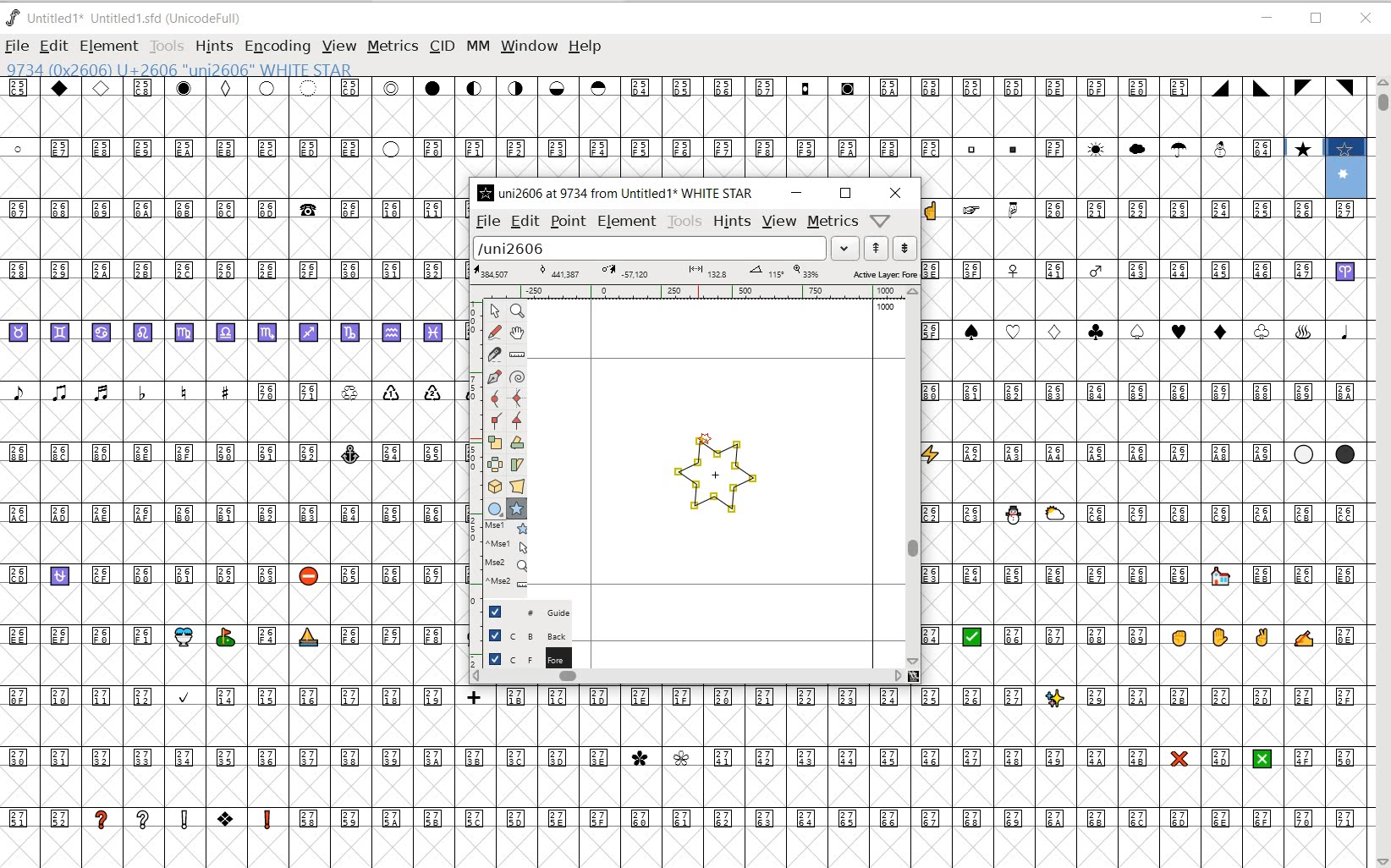 The width and height of the screenshot is (1391, 868). Describe the element at coordinates (845, 194) in the screenshot. I see `RESTORE` at that location.